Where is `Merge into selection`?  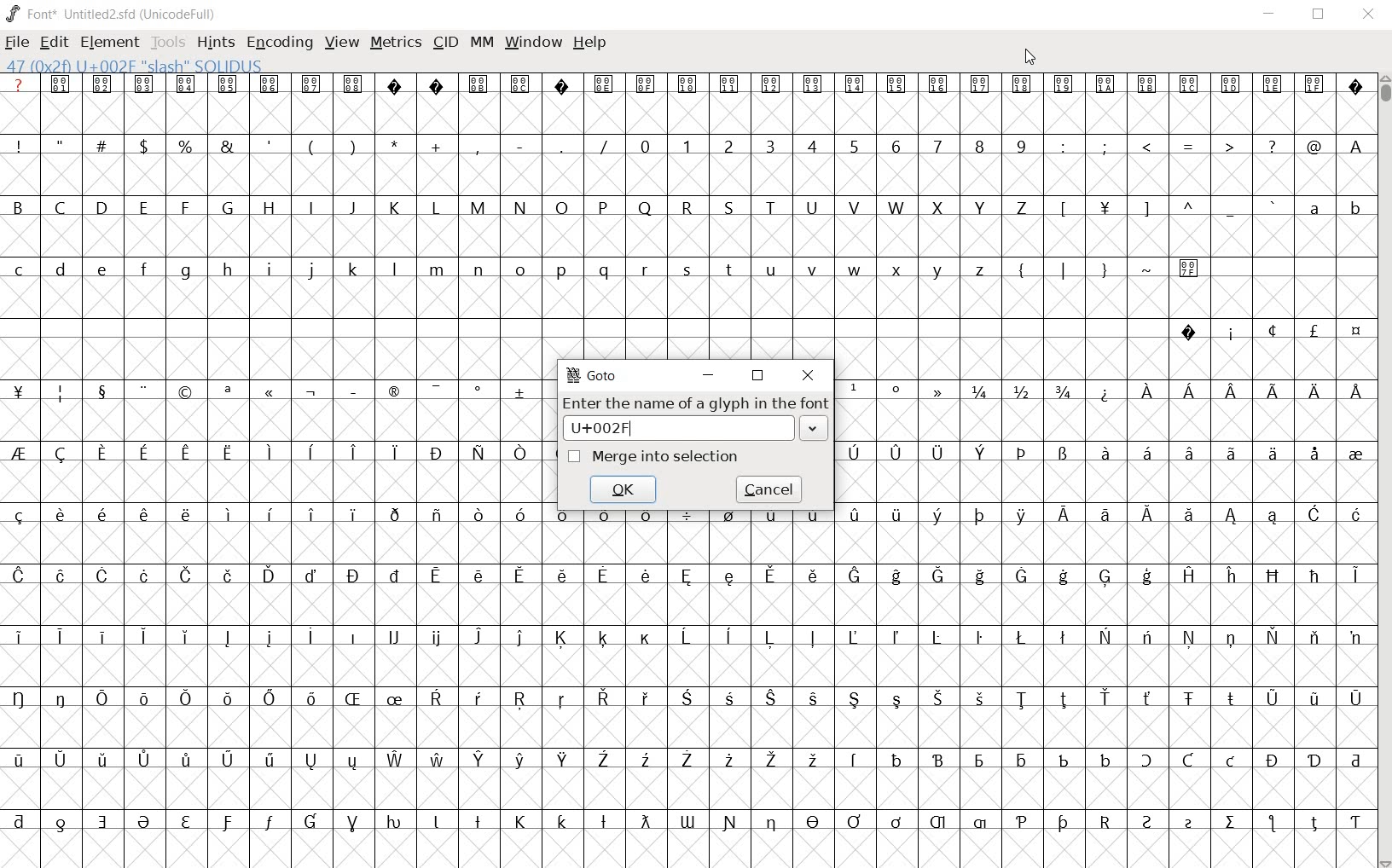
Merge into selection is located at coordinates (654, 456).